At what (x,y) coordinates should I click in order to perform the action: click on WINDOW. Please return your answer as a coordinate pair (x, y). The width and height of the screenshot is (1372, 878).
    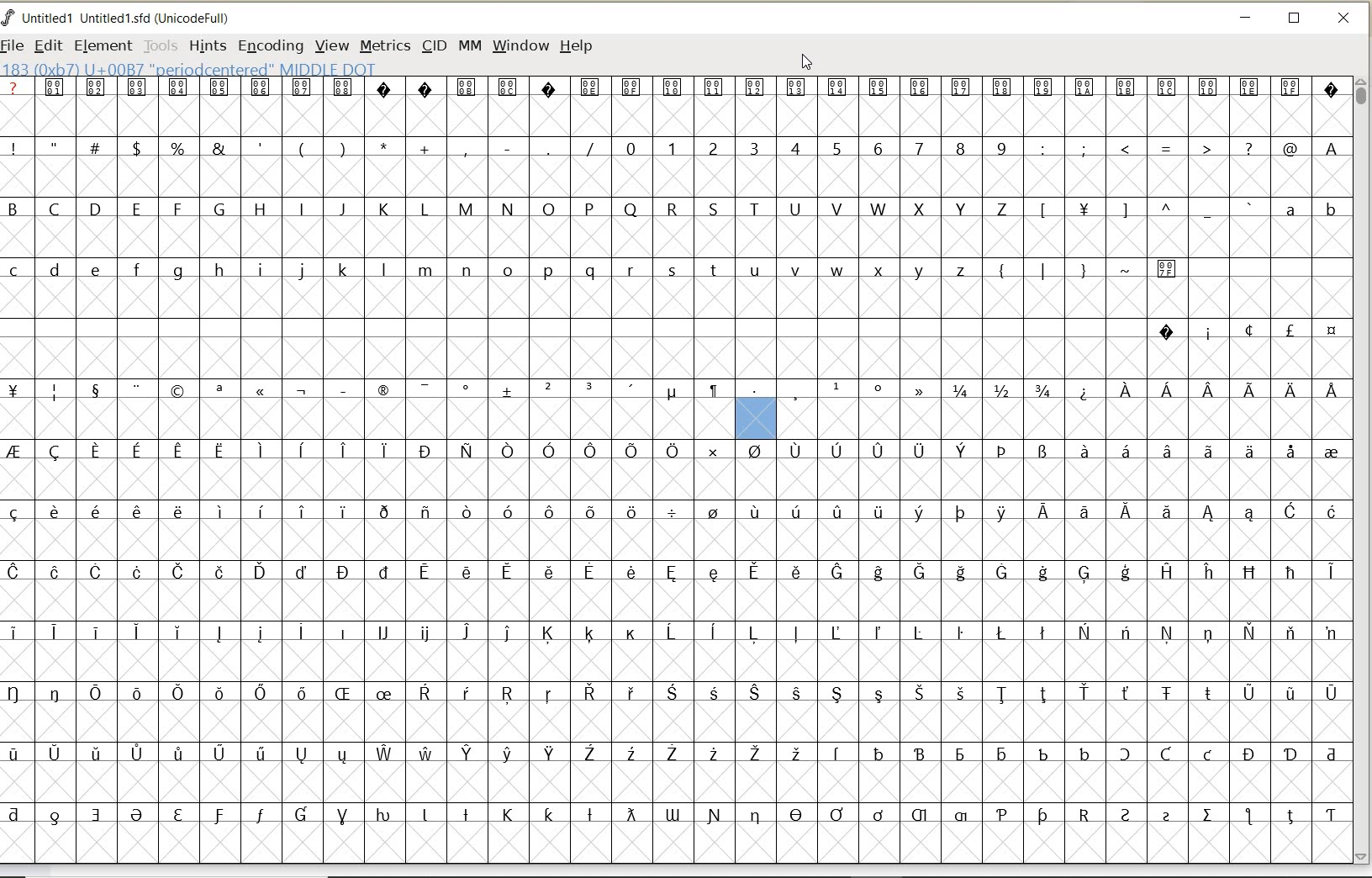
    Looking at the image, I should click on (520, 45).